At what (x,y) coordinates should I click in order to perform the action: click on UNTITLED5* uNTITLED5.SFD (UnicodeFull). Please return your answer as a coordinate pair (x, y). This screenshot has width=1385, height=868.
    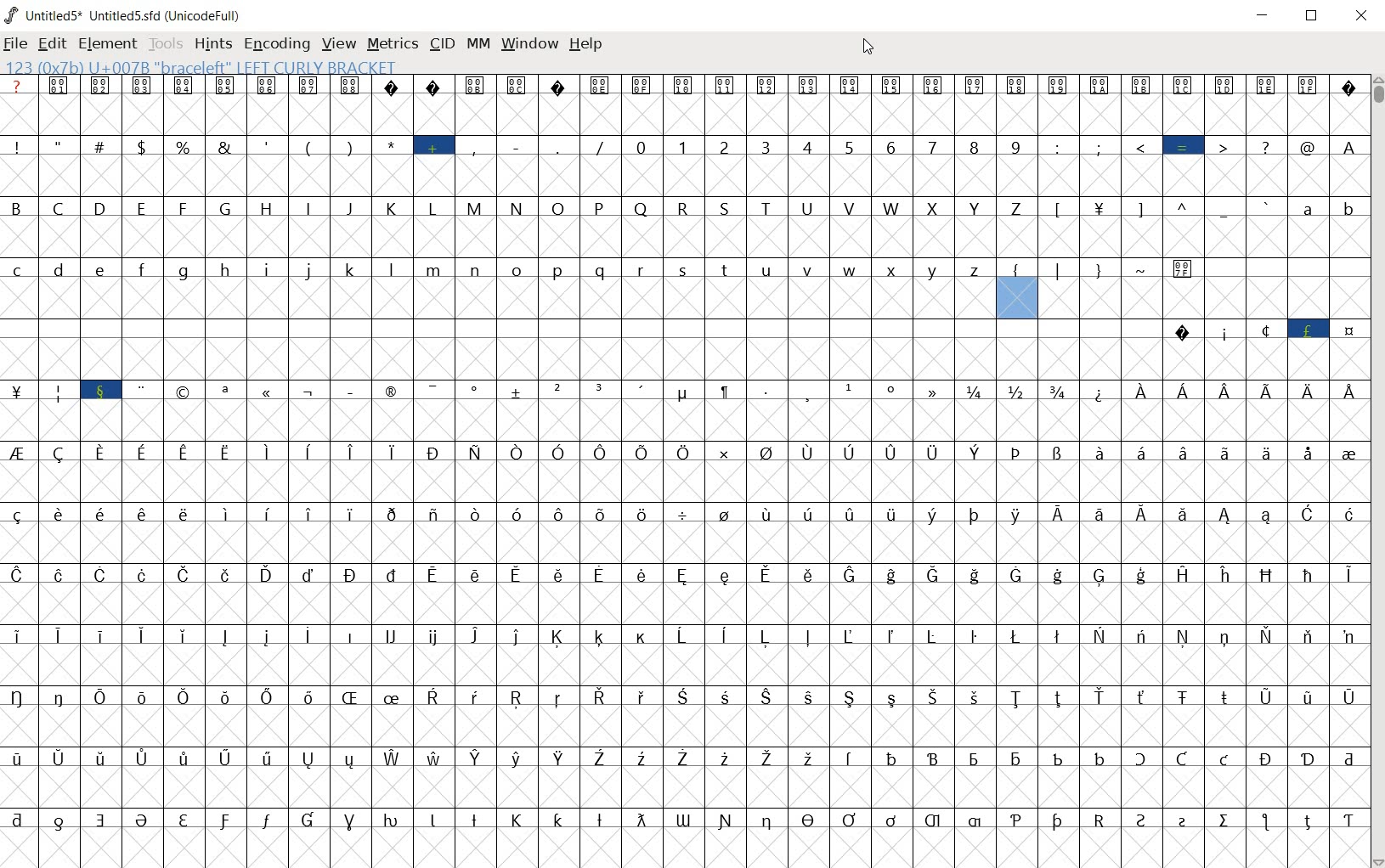
    Looking at the image, I should click on (124, 16).